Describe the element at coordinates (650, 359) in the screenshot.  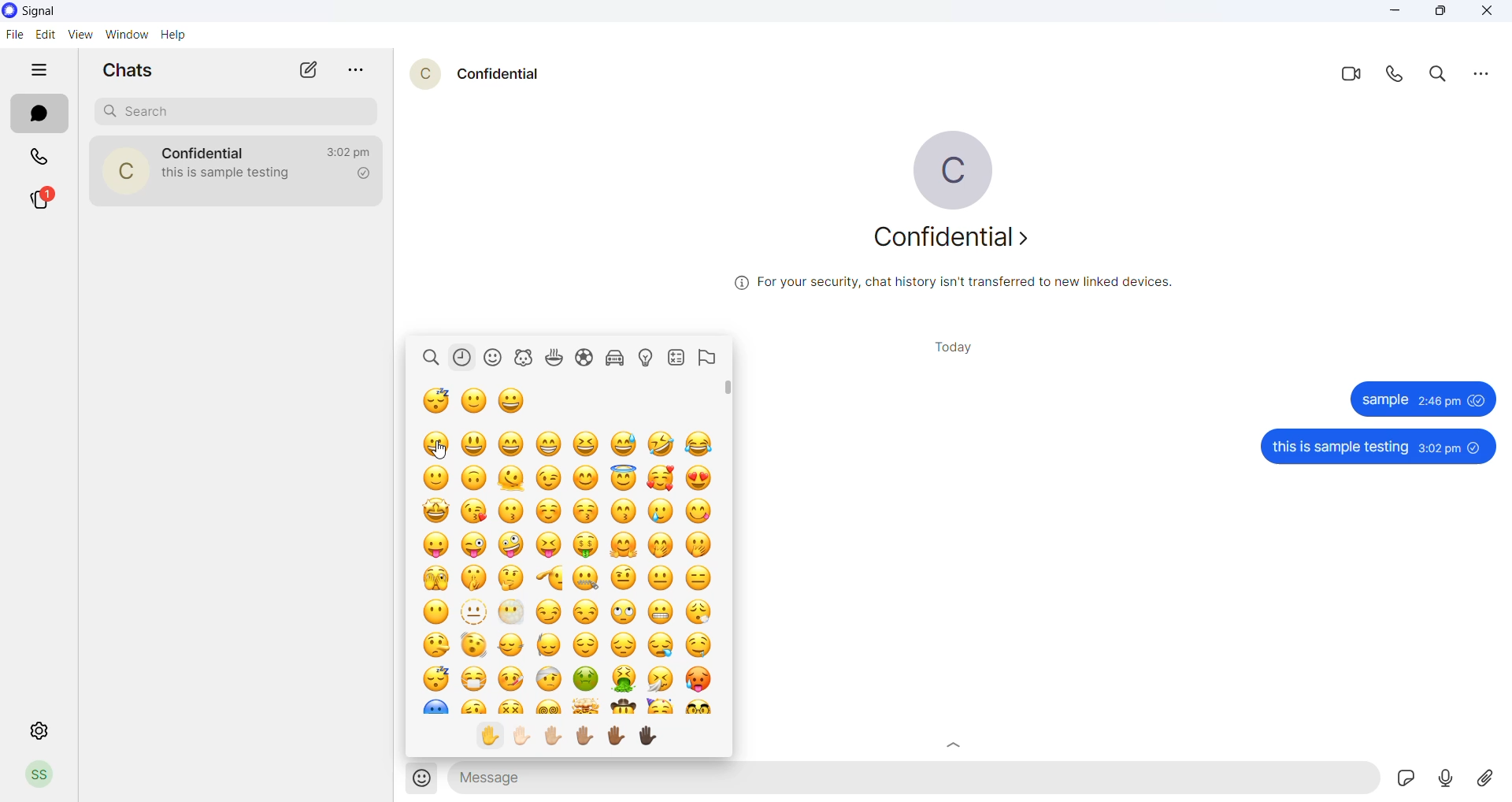
I see `bulb related emojis` at that location.